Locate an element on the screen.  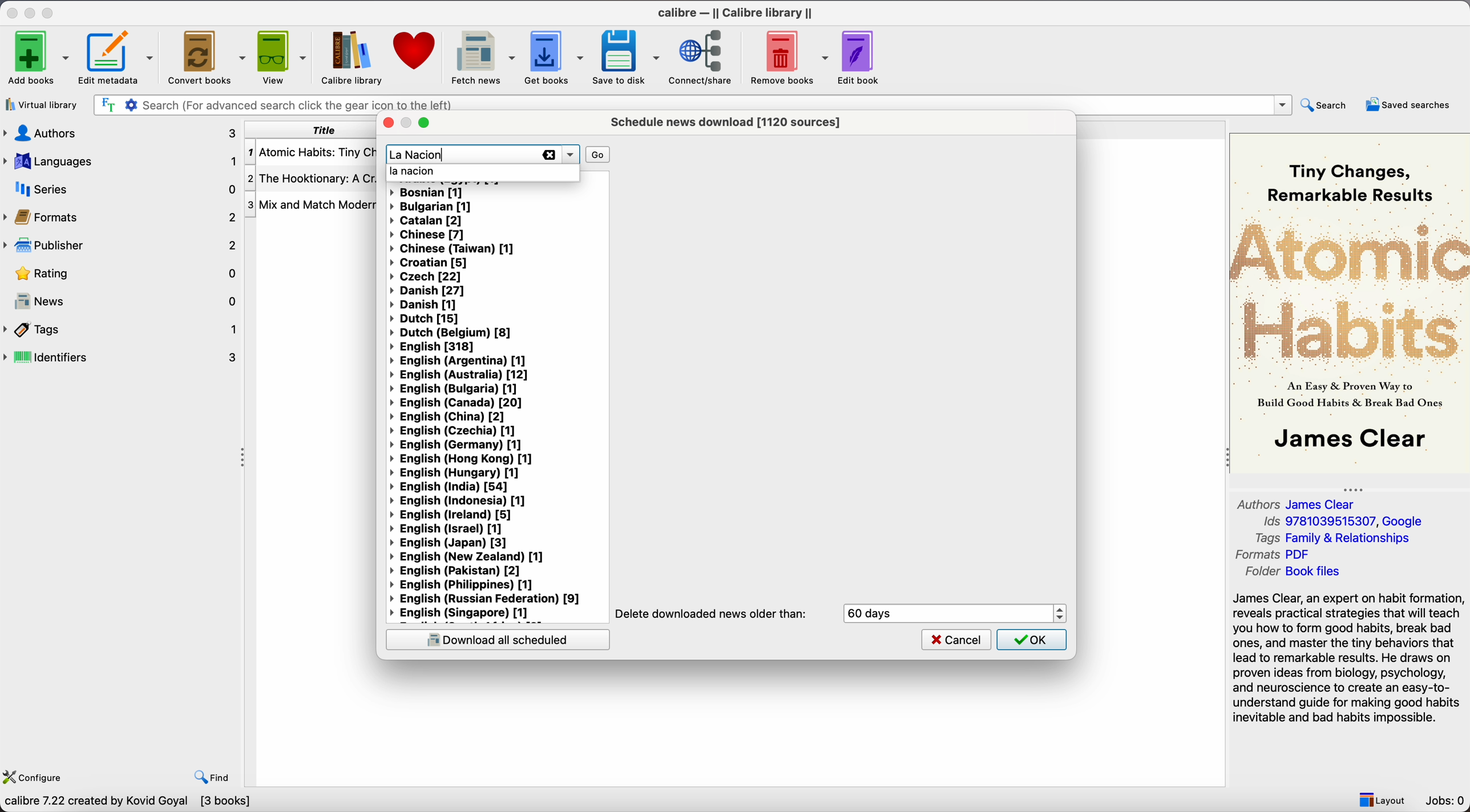
Mix and Match Modern...  is located at coordinates (312, 205).